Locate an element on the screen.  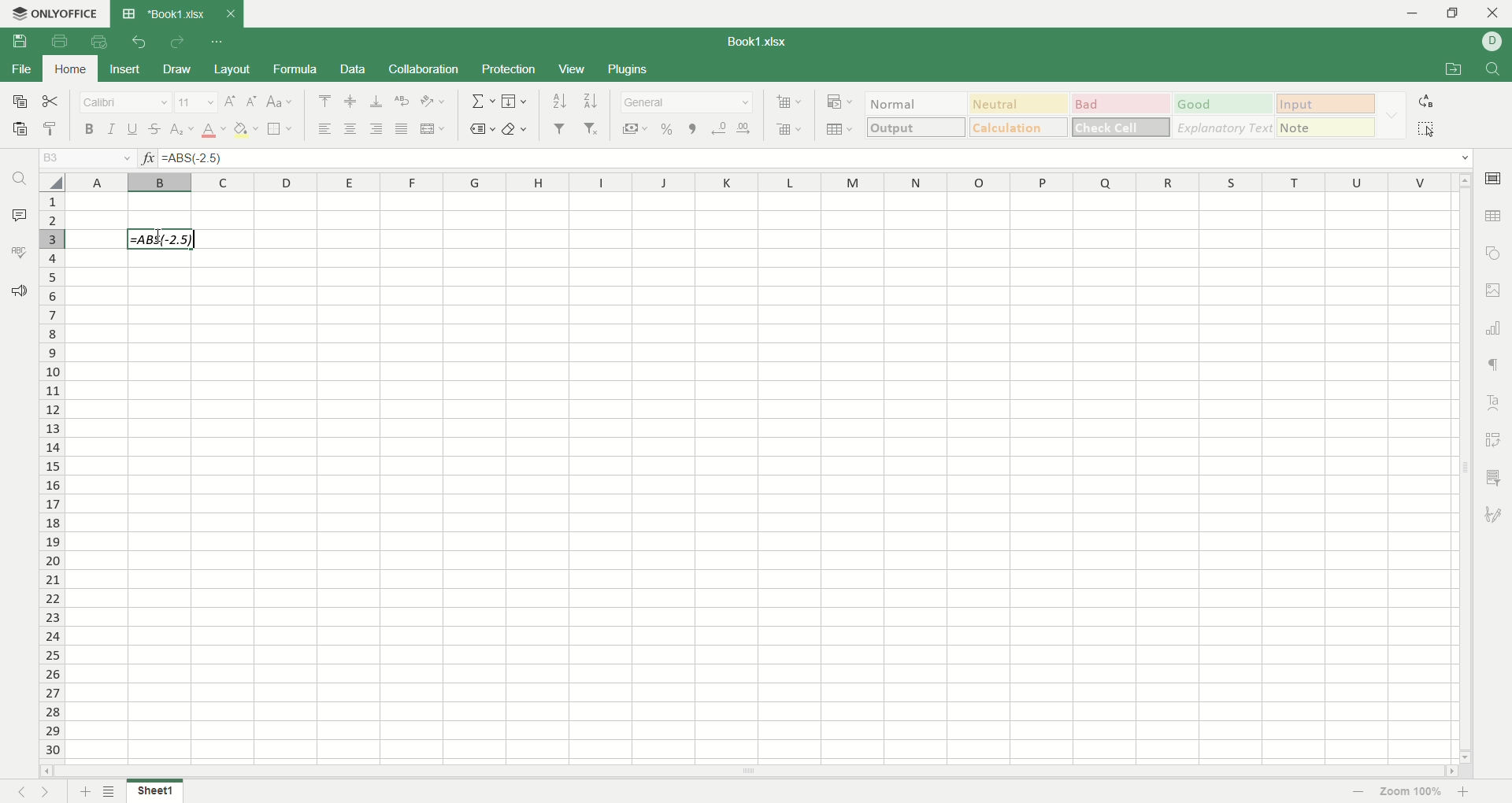
quick settings is located at coordinates (215, 41).